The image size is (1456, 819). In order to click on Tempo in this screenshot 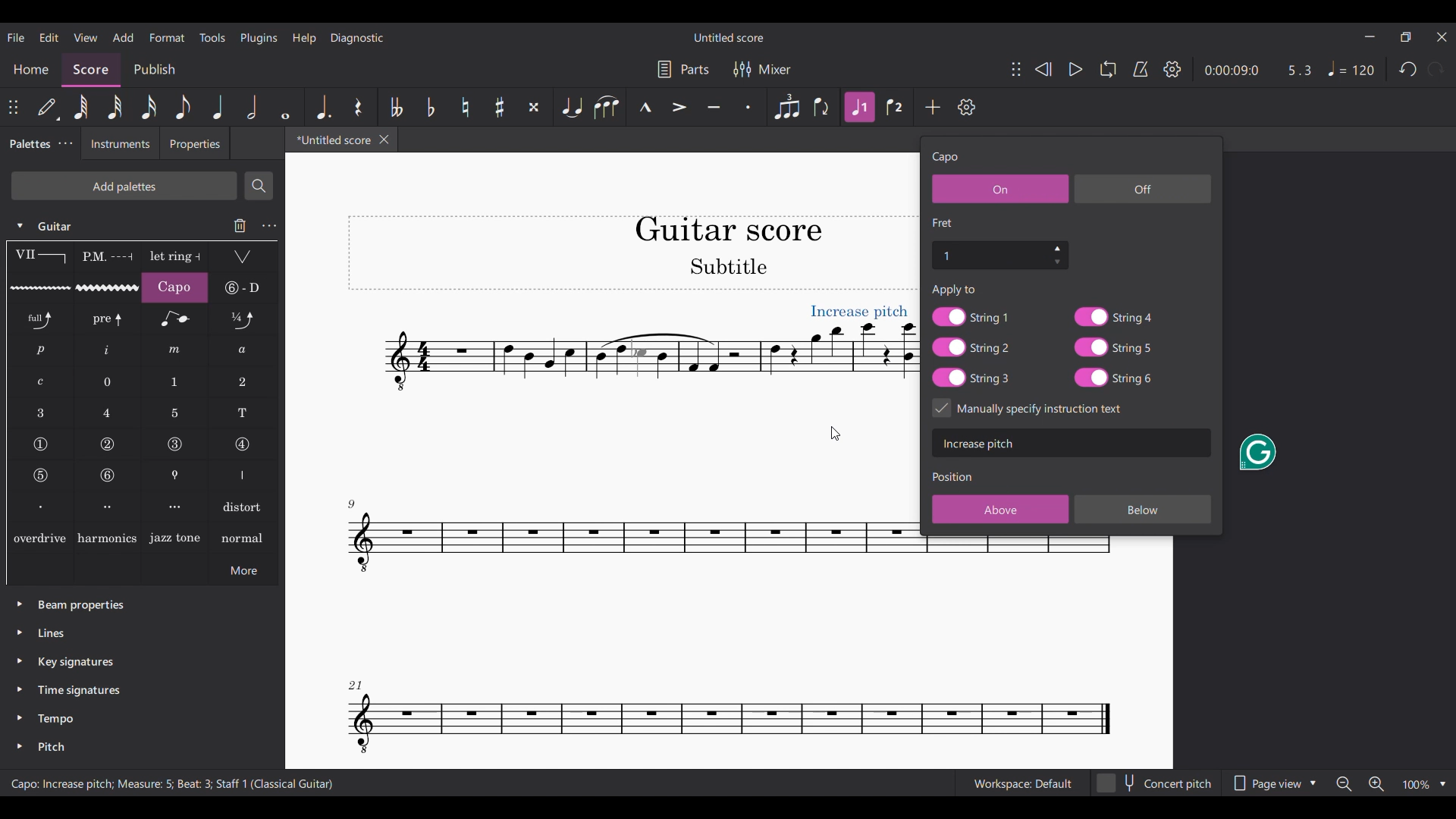, I will do `click(1350, 68)`.